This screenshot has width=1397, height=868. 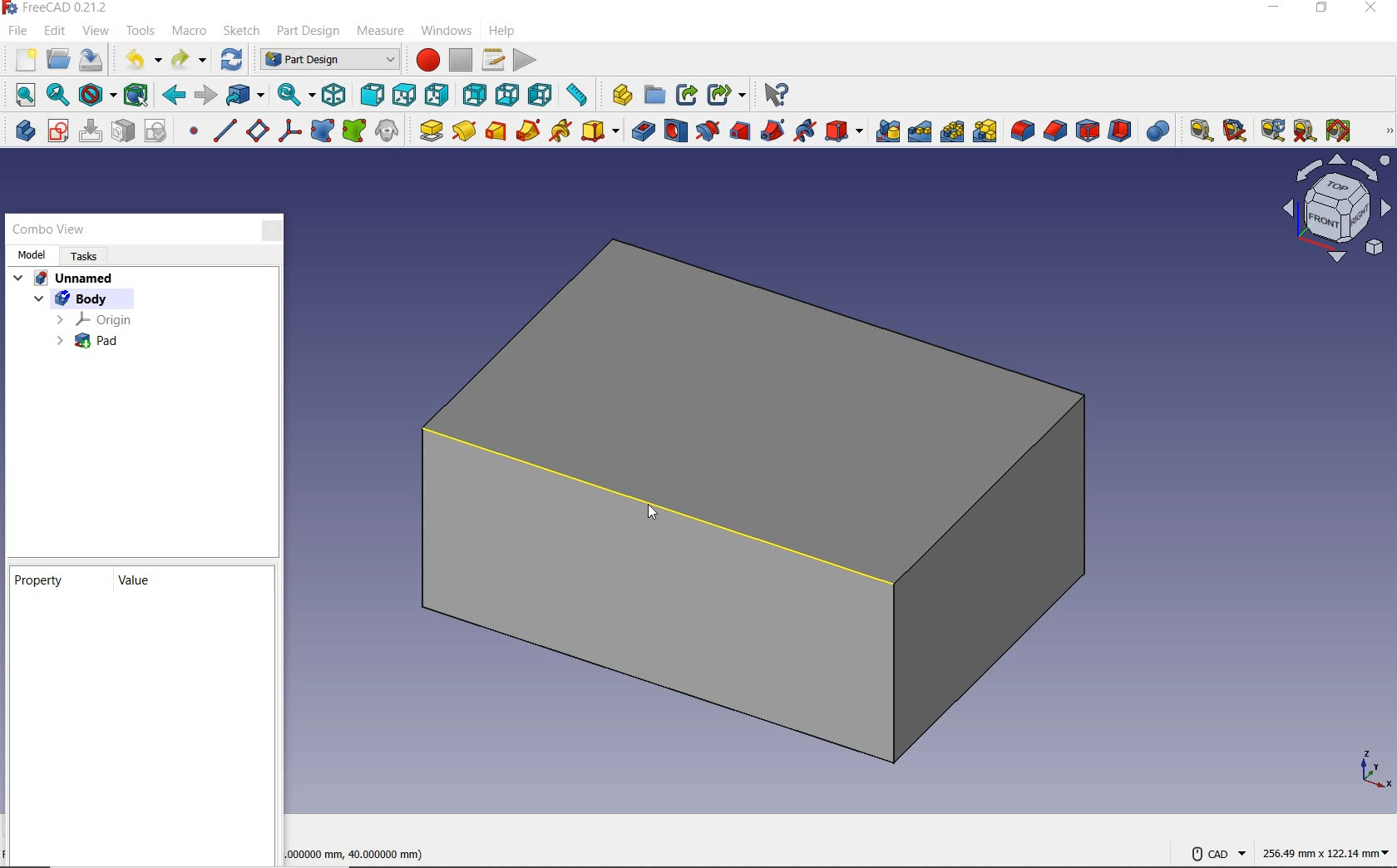 I want to click on edit sketch, so click(x=90, y=131).